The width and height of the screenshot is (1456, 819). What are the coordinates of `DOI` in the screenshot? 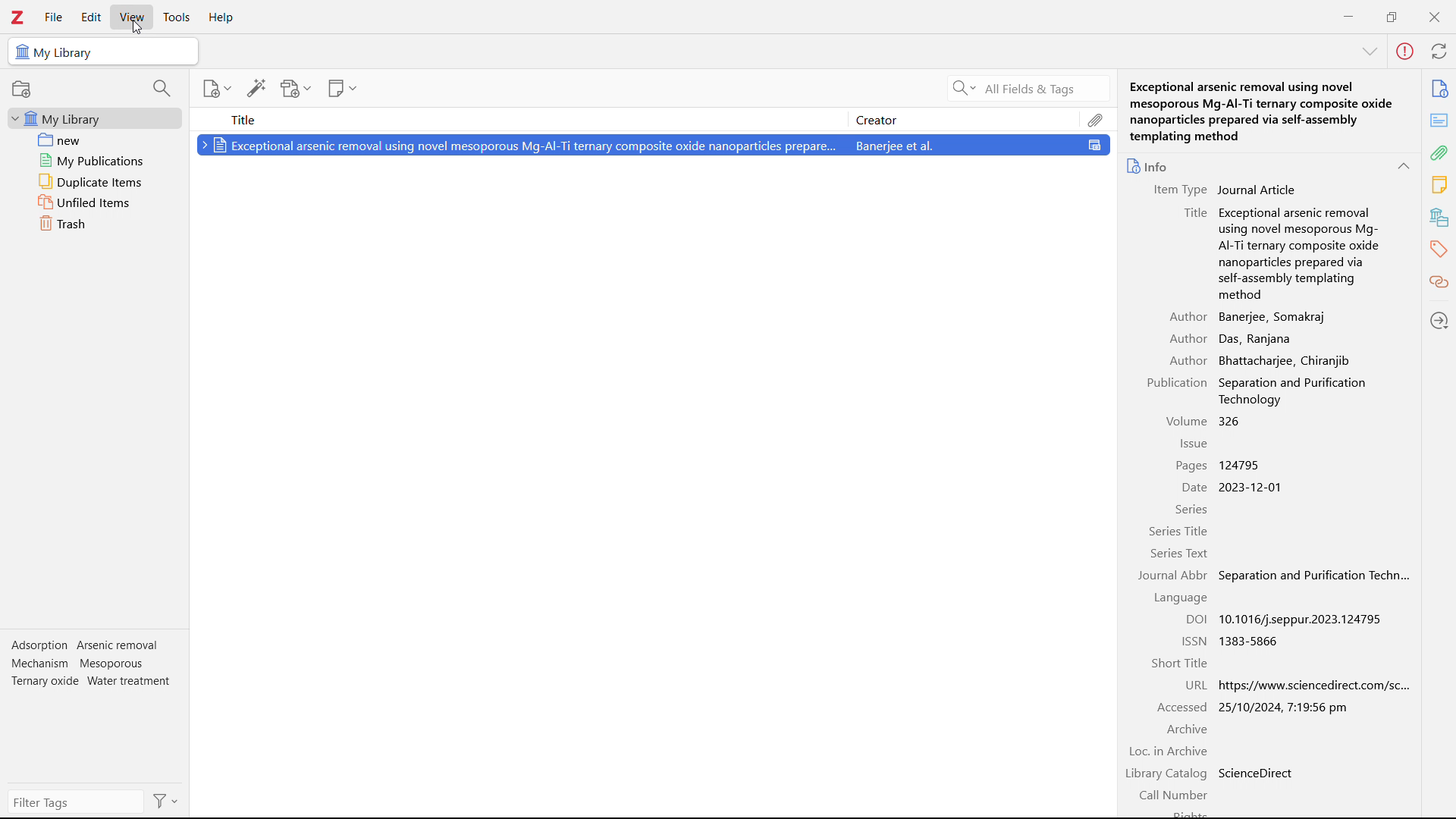 It's located at (1194, 620).